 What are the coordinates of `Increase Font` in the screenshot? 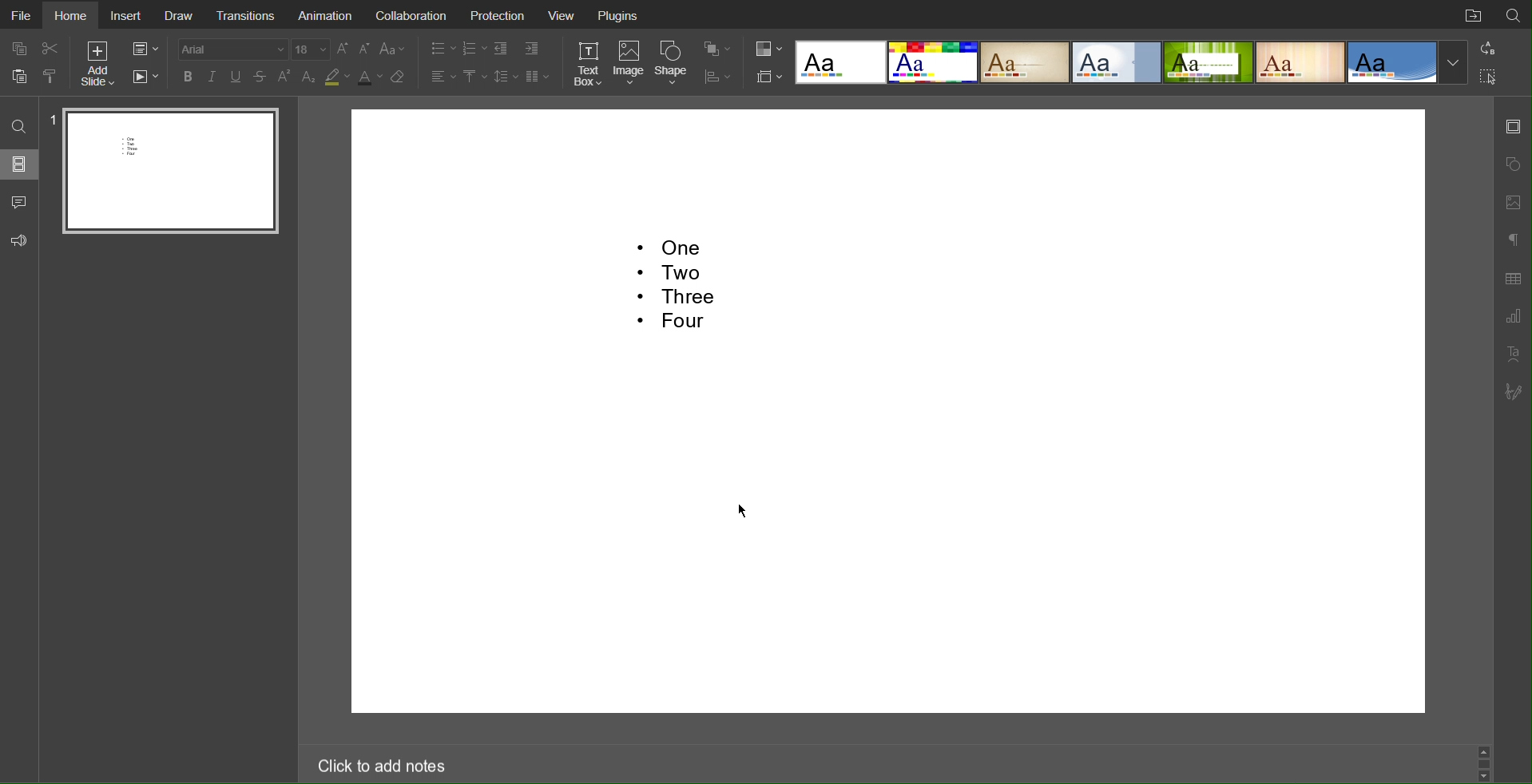 It's located at (343, 49).